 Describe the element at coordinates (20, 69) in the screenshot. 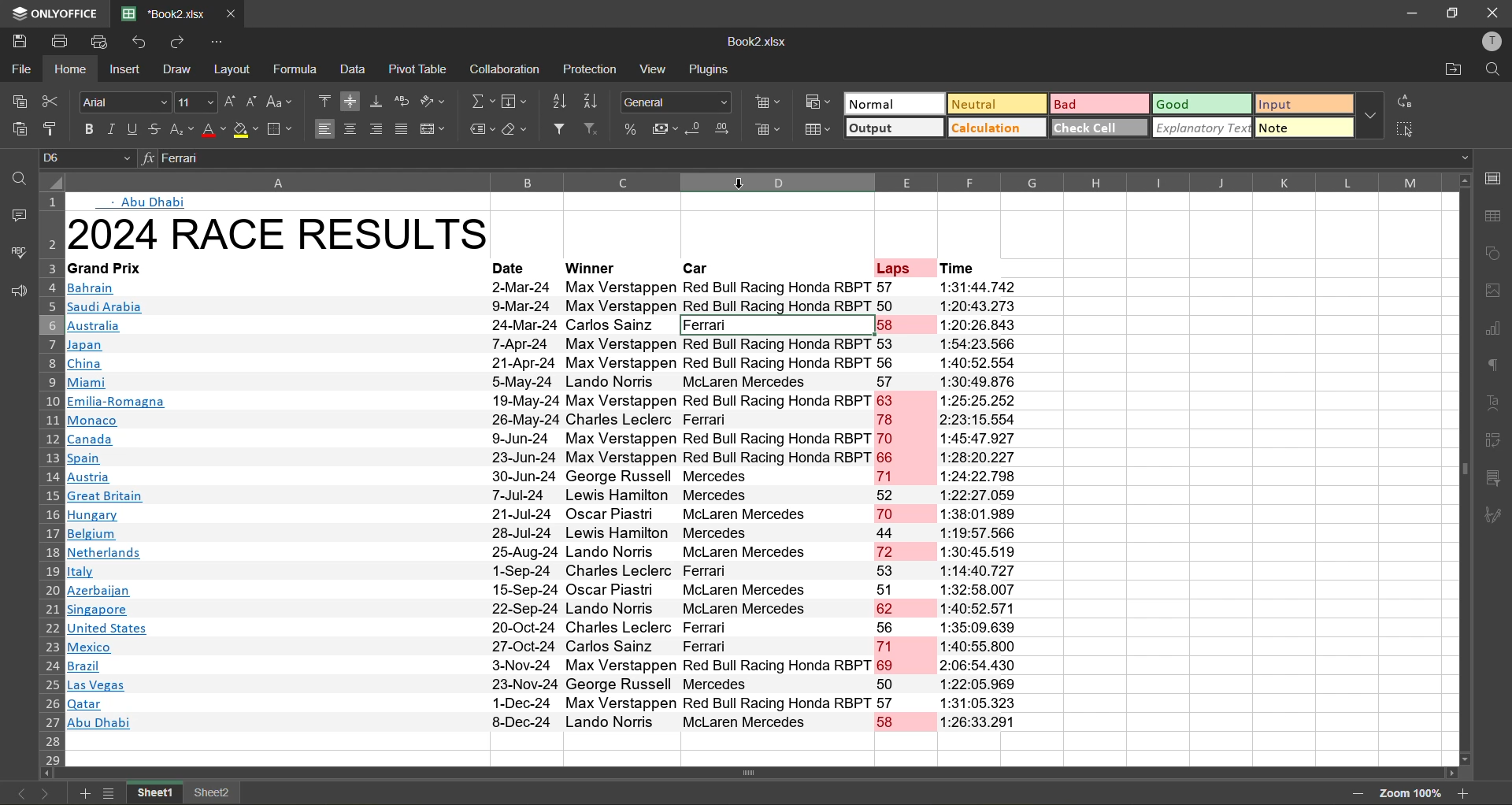

I see `file` at that location.